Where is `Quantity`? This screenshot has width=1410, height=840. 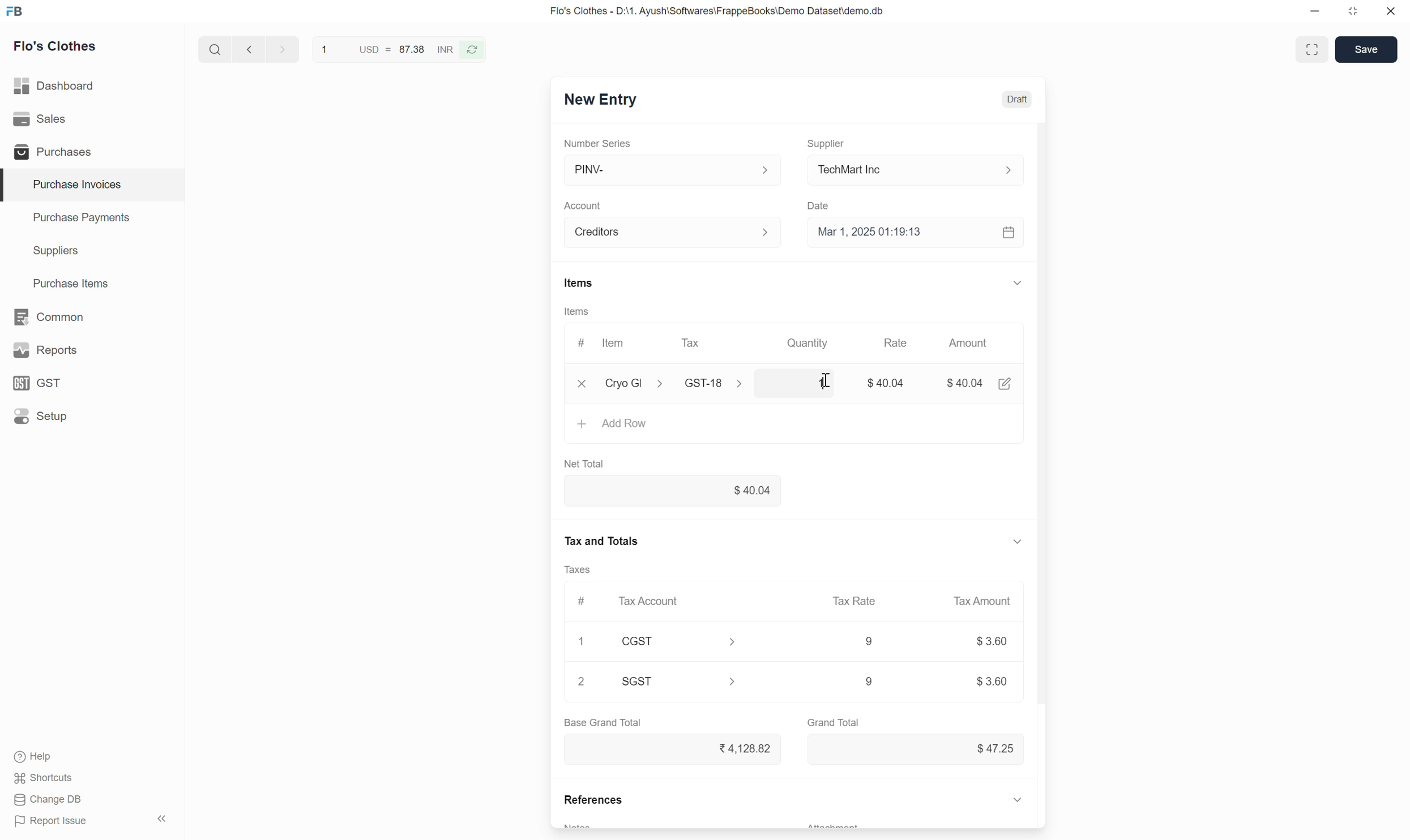
Quantity is located at coordinates (815, 343).